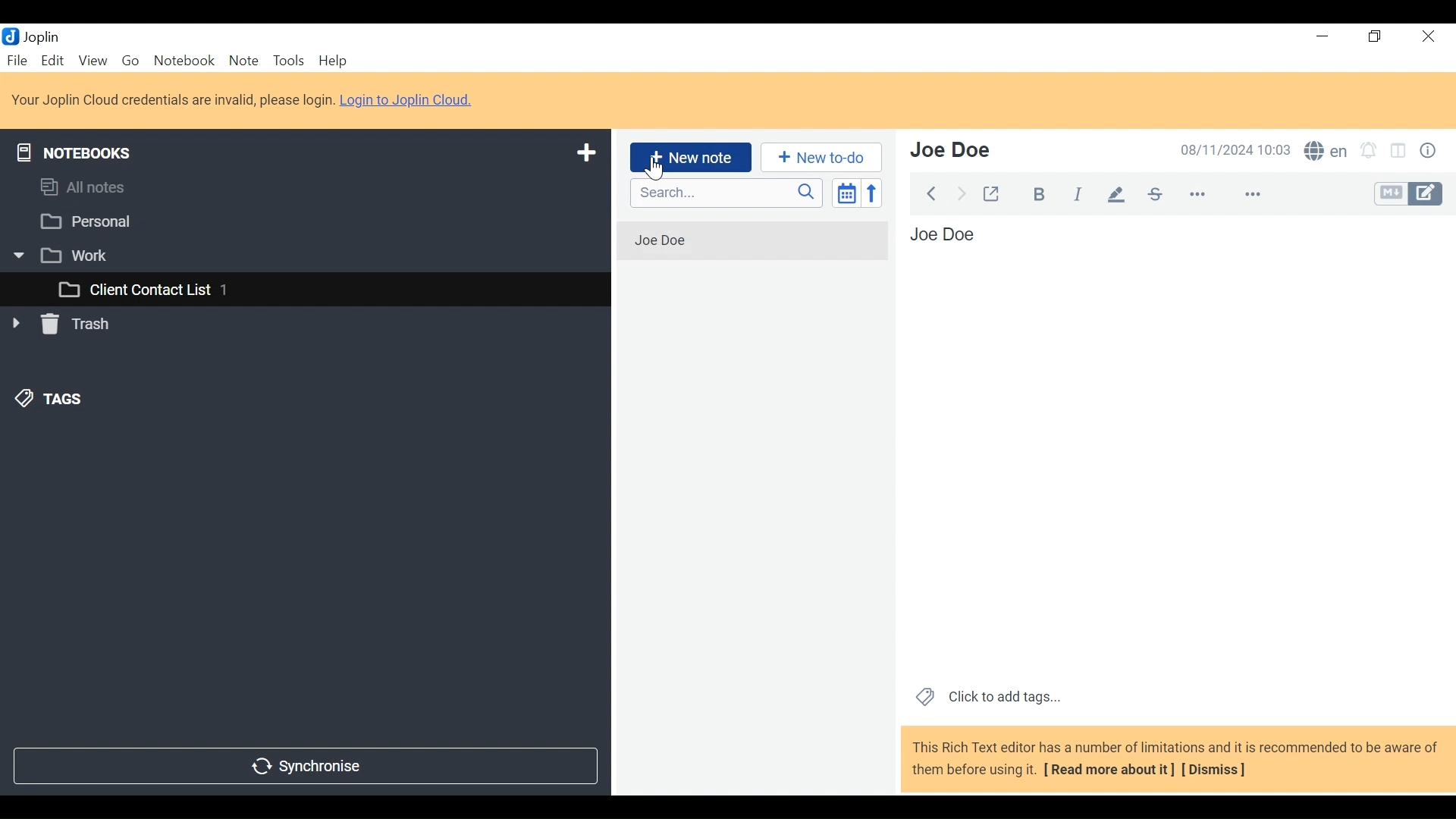 The image size is (1456, 819). What do you see at coordinates (962, 193) in the screenshot?
I see `Forward` at bounding box center [962, 193].